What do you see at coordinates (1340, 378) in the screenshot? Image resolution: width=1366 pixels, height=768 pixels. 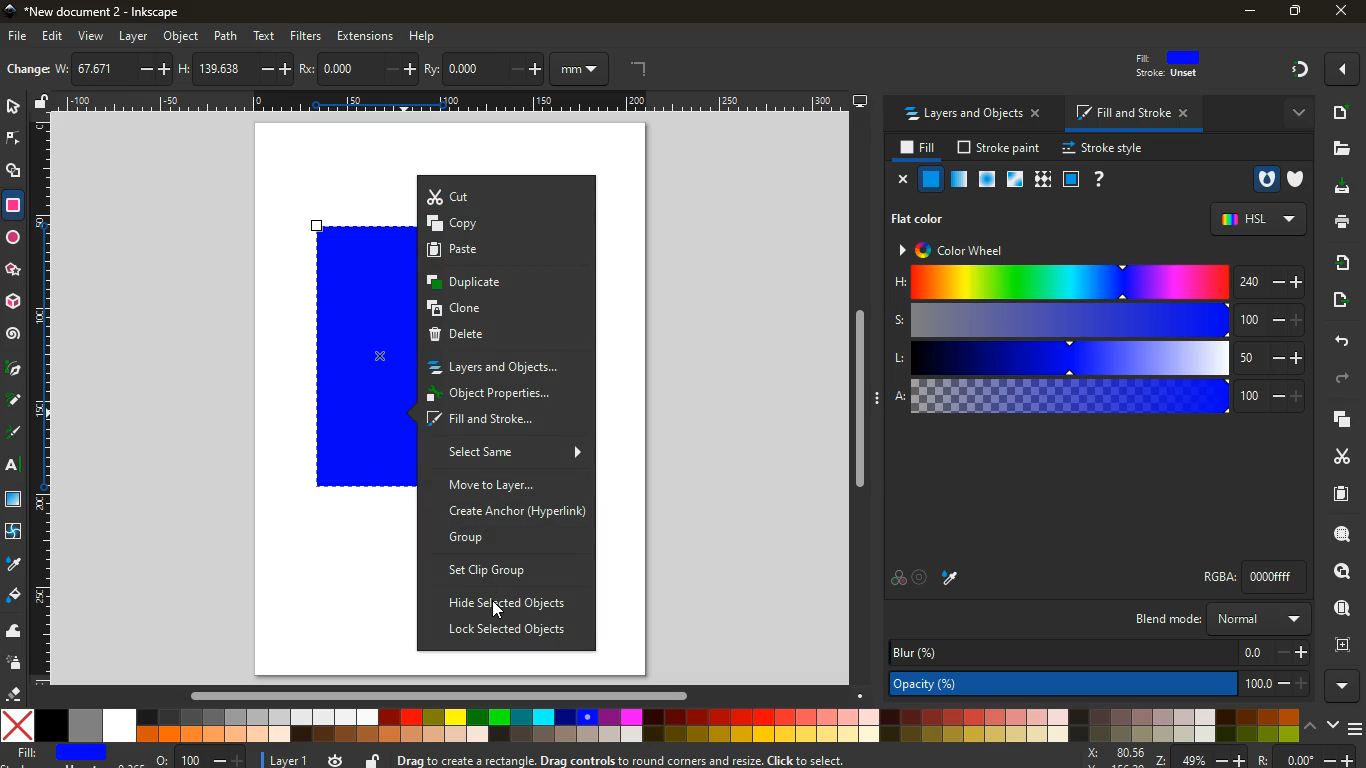 I see `forward` at bounding box center [1340, 378].